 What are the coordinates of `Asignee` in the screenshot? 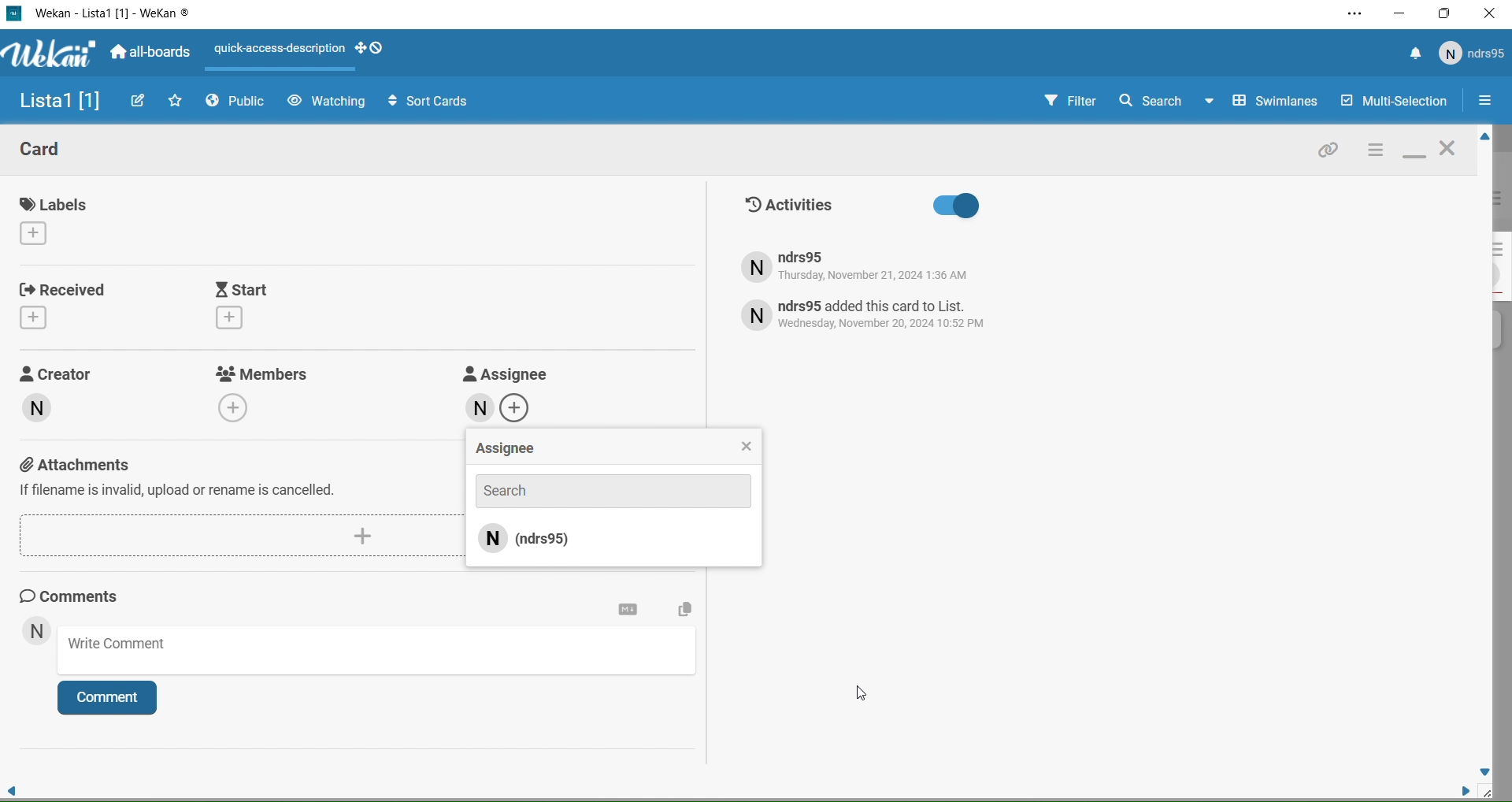 It's located at (614, 449).